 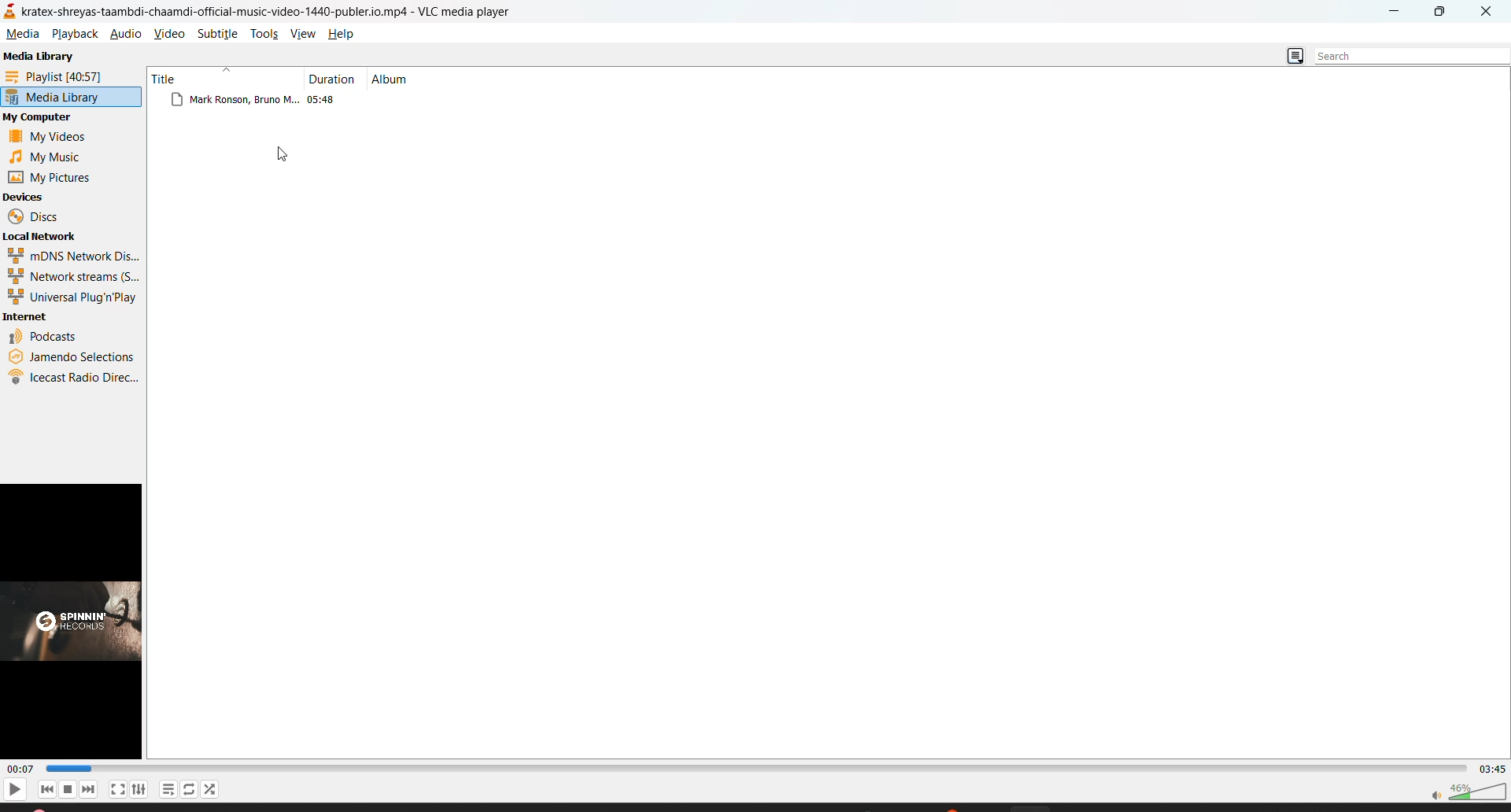 What do you see at coordinates (127, 37) in the screenshot?
I see `audio` at bounding box center [127, 37].